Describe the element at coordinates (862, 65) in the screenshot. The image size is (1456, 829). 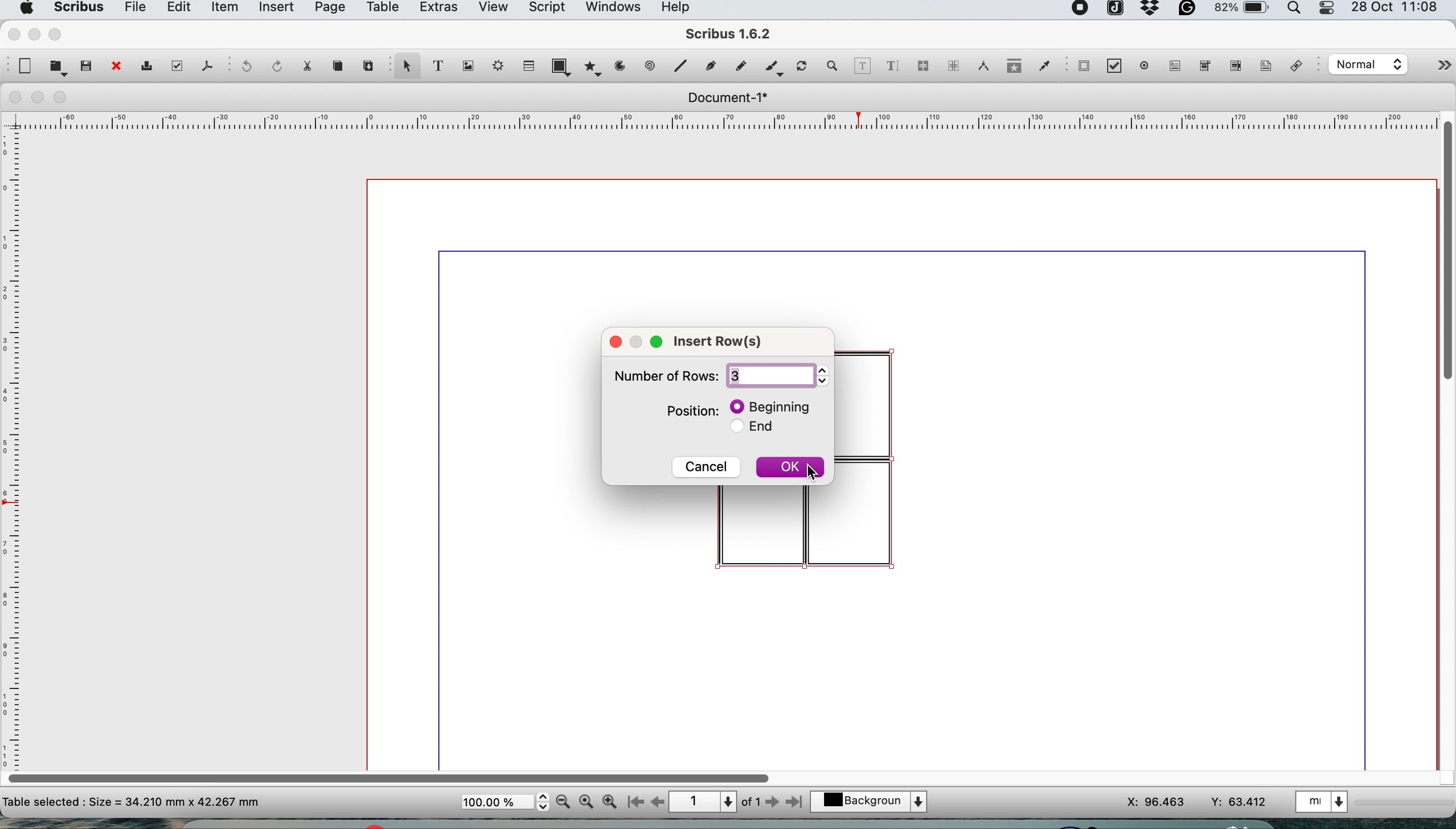
I see `edit contents of frame` at that location.